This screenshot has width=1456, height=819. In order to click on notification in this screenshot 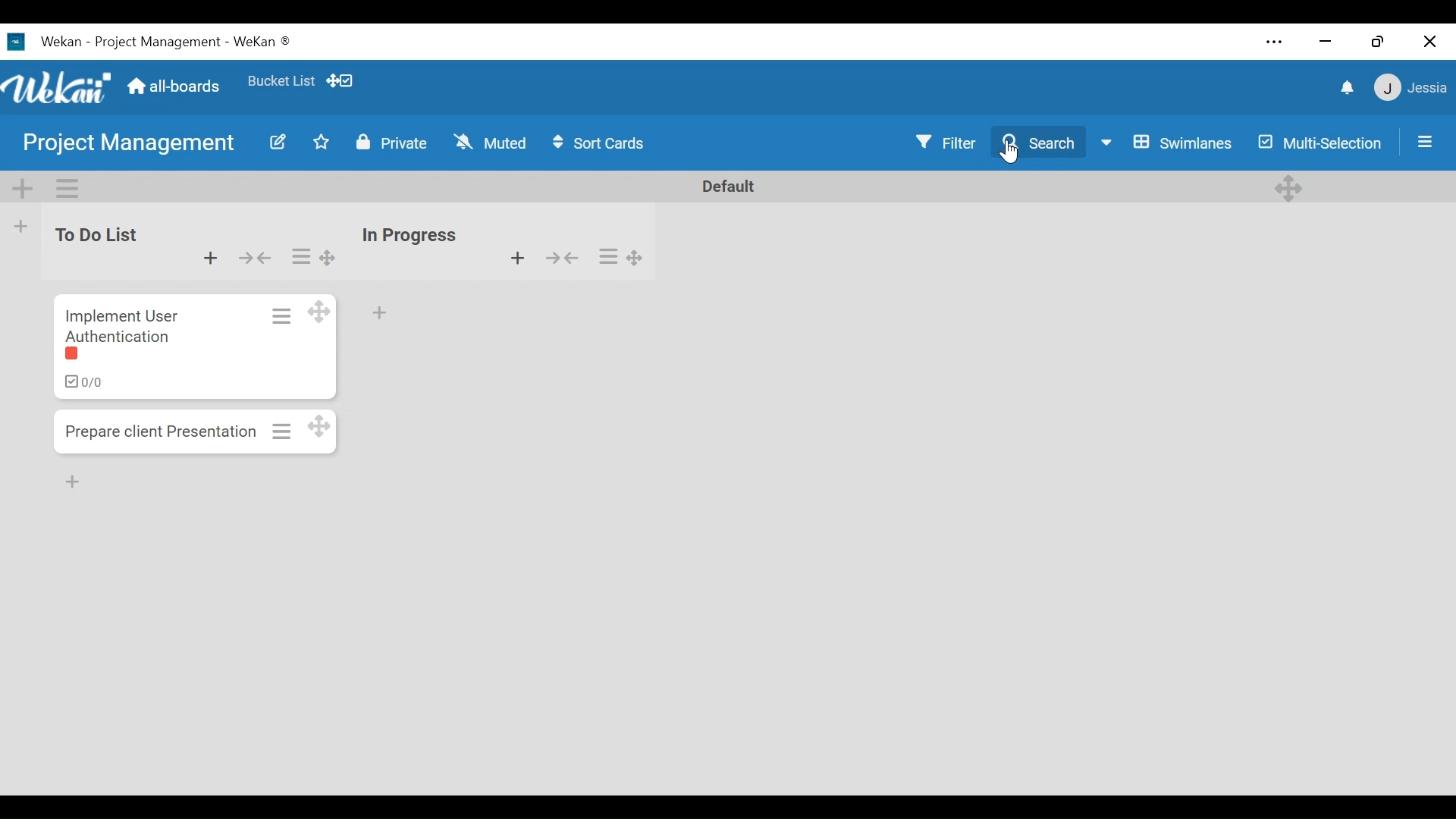, I will do `click(1345, 89)`.